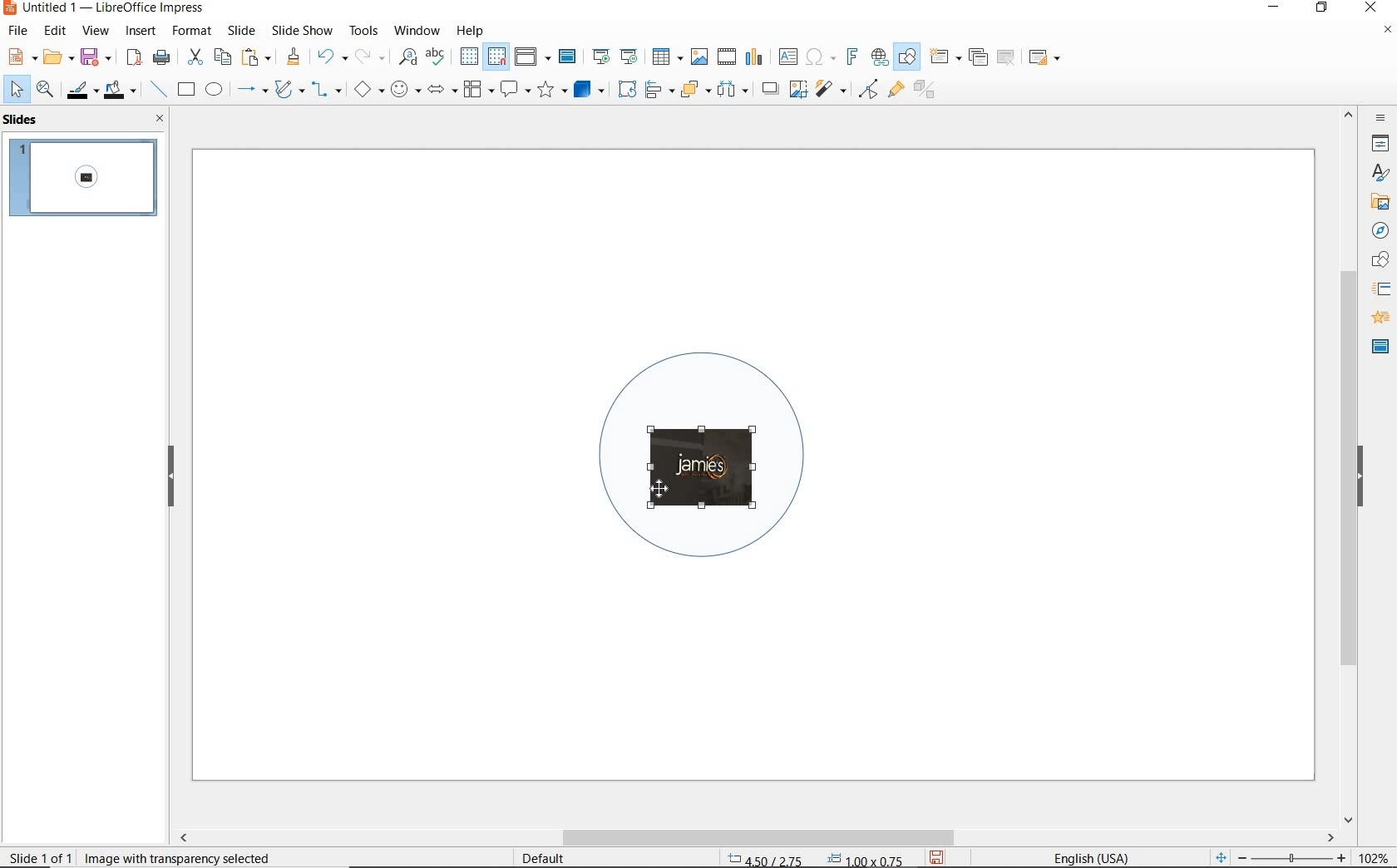 This screenshot has width=1397, height=868. What do you see at coordinates (892, 91) in the screenshot?
I see `show gluepoint functions` at bounding box center [892, 91].